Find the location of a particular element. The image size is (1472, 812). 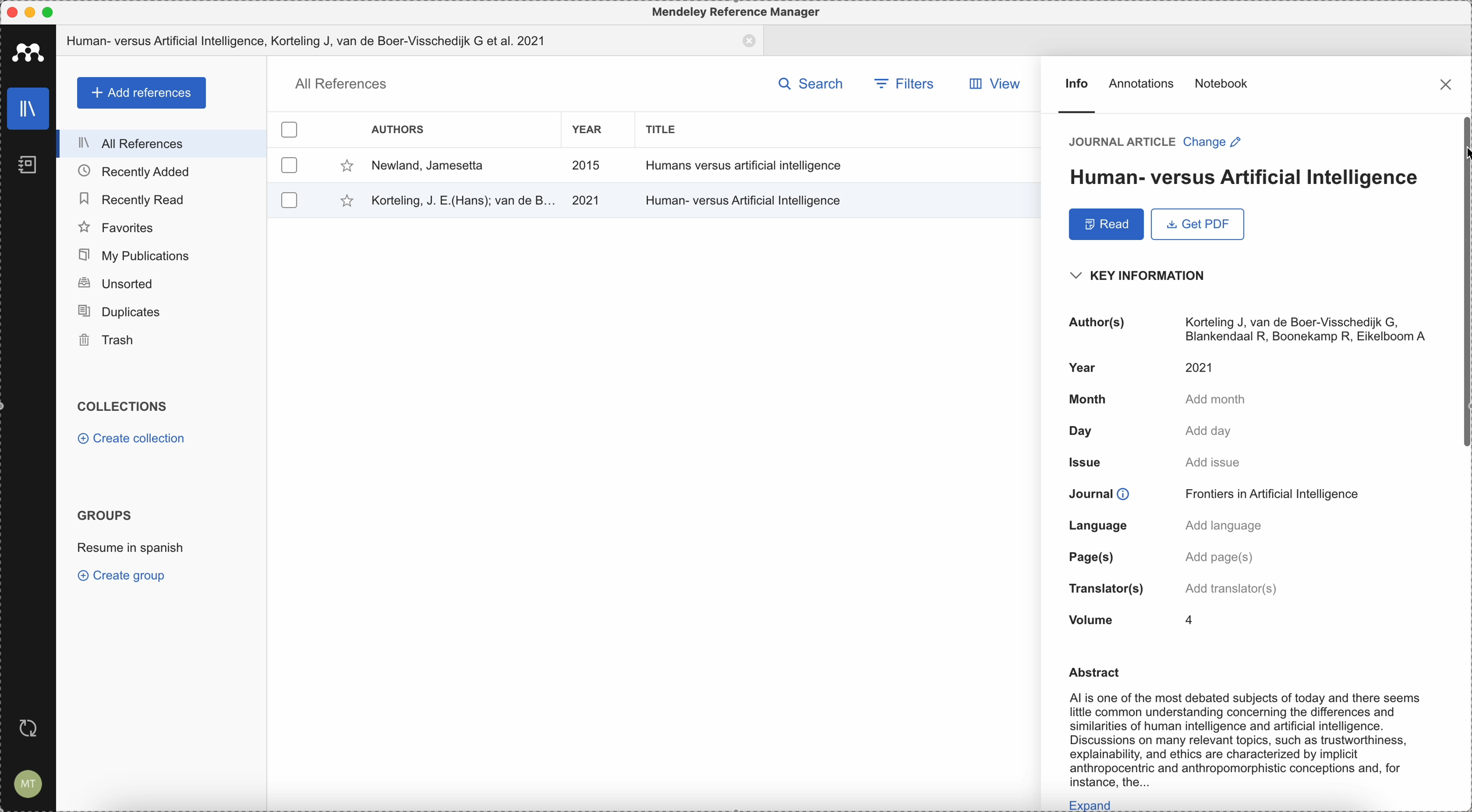

Humans versus artificial intelligence is located at coordinates (745, 165).